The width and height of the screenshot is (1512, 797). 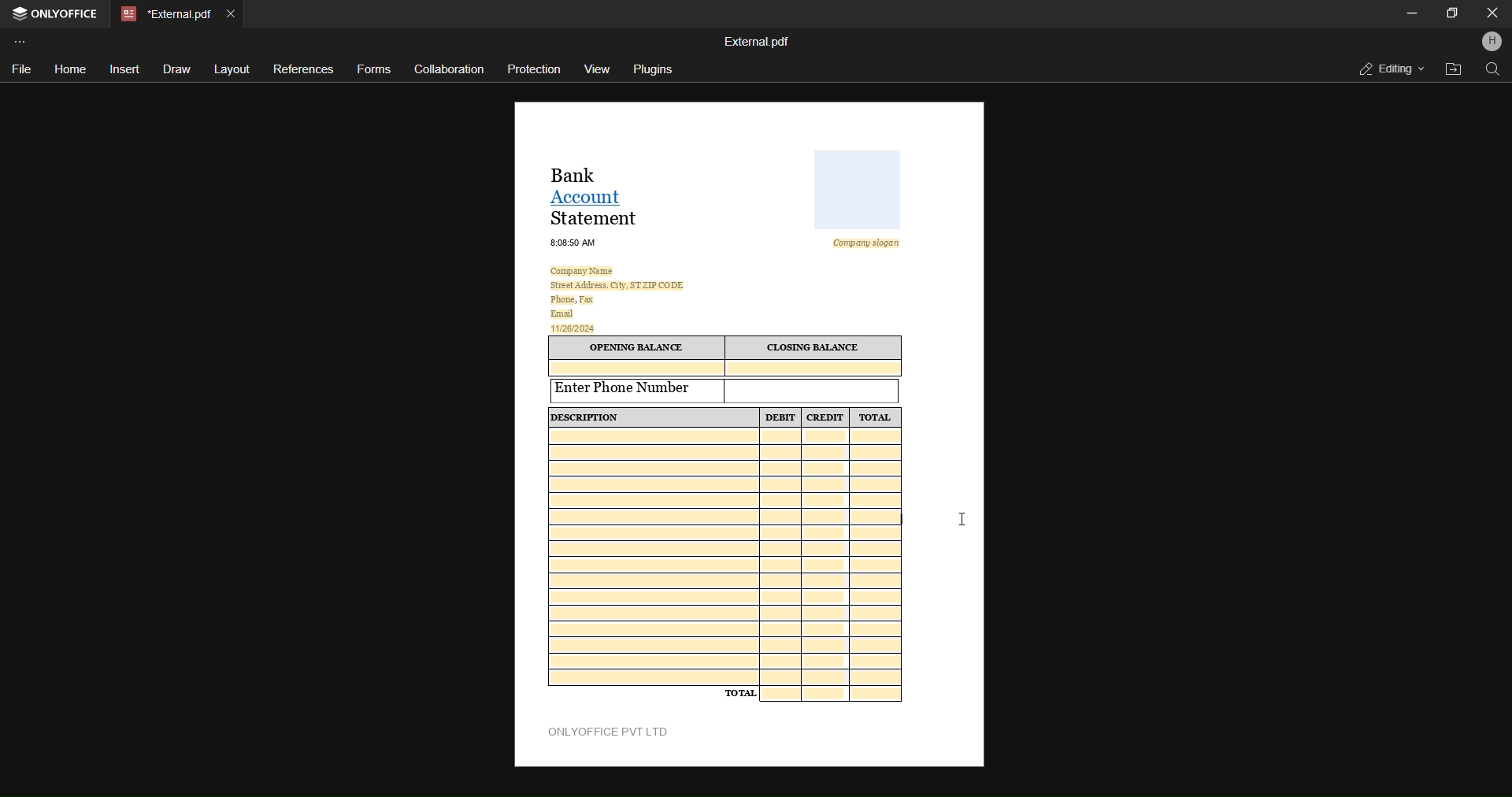 I want to click on CLOSING BALANCE, so click(x=815, y=348).